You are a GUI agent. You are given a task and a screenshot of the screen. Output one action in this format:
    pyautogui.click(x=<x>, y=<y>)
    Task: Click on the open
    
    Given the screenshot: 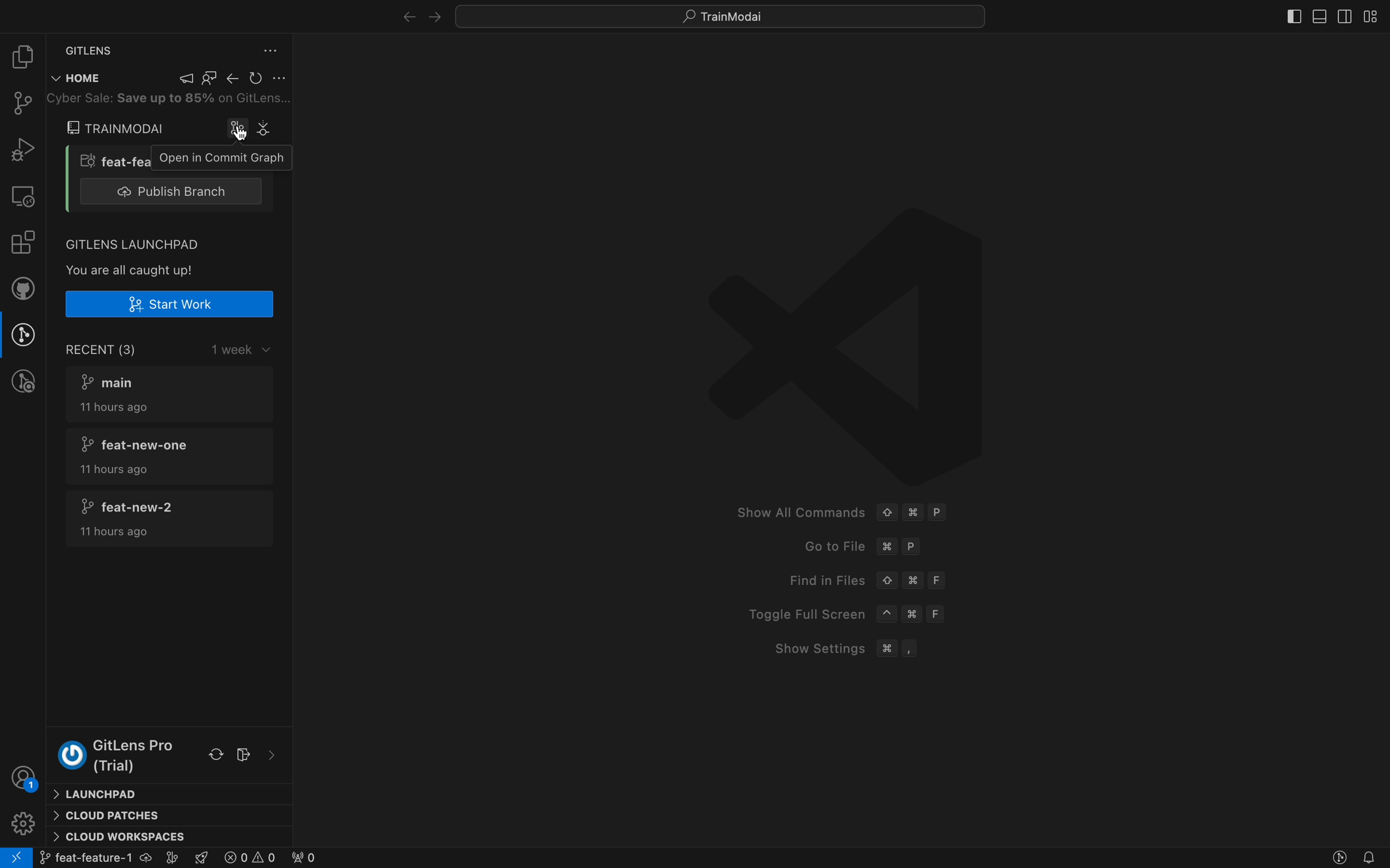 What is the action you would take?
    pyautogui.click(x=239, y=129)
    